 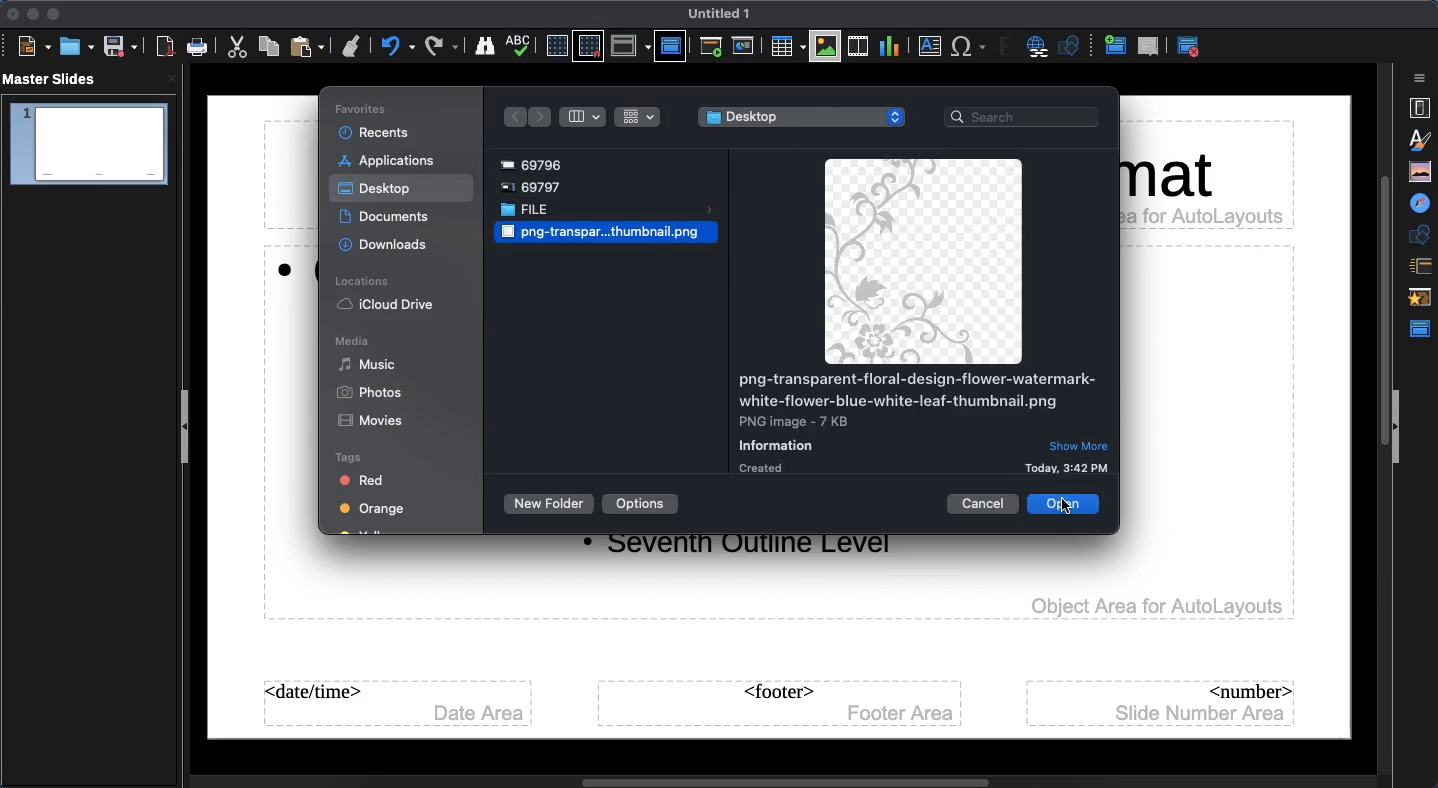 I want to click on Save as PDF, so click(x=167, y=49).